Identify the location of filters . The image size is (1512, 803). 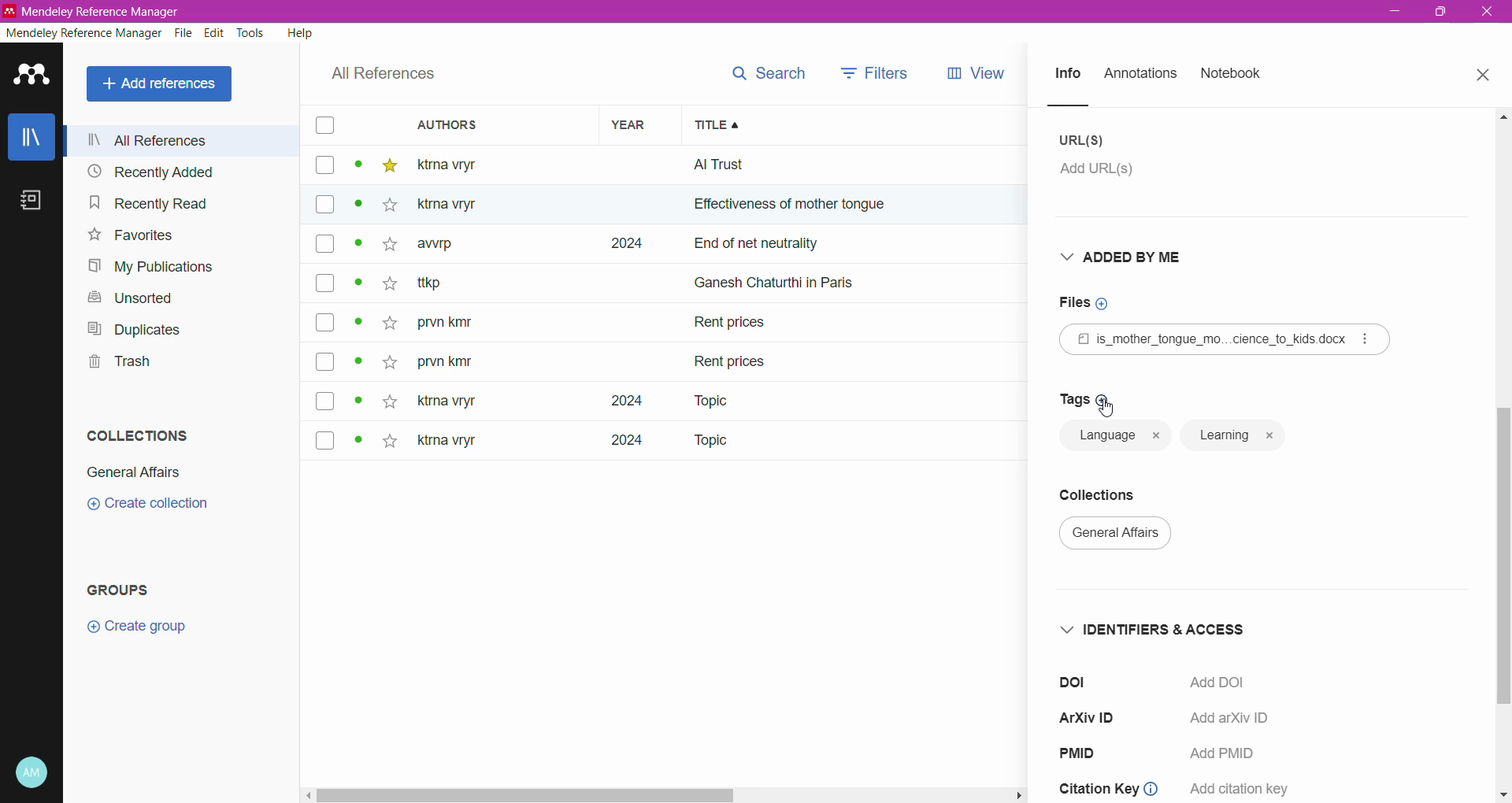
(875, 72).